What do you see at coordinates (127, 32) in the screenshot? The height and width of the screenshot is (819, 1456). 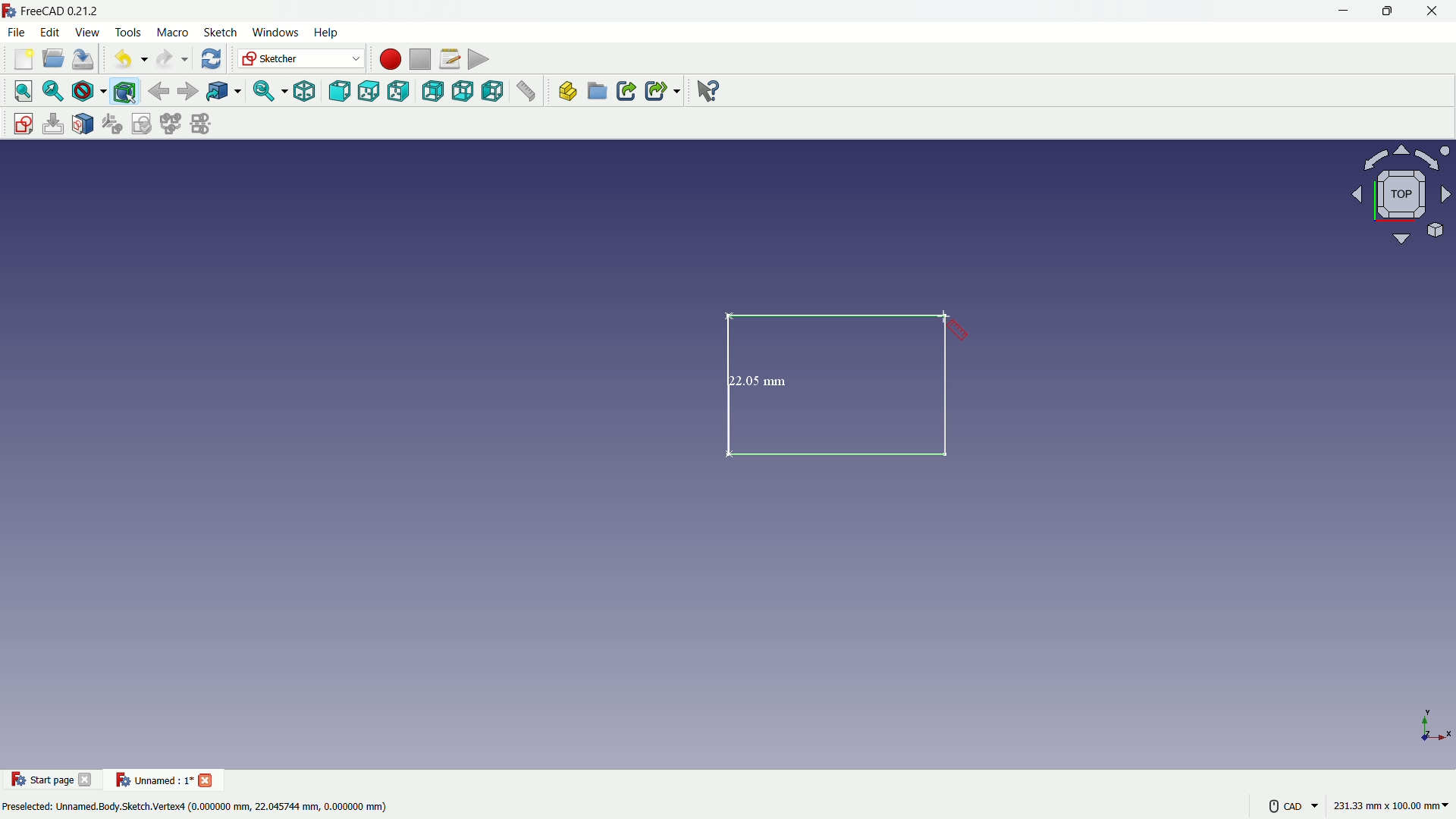 I see `tools menu` at bounding box center [127, 32].